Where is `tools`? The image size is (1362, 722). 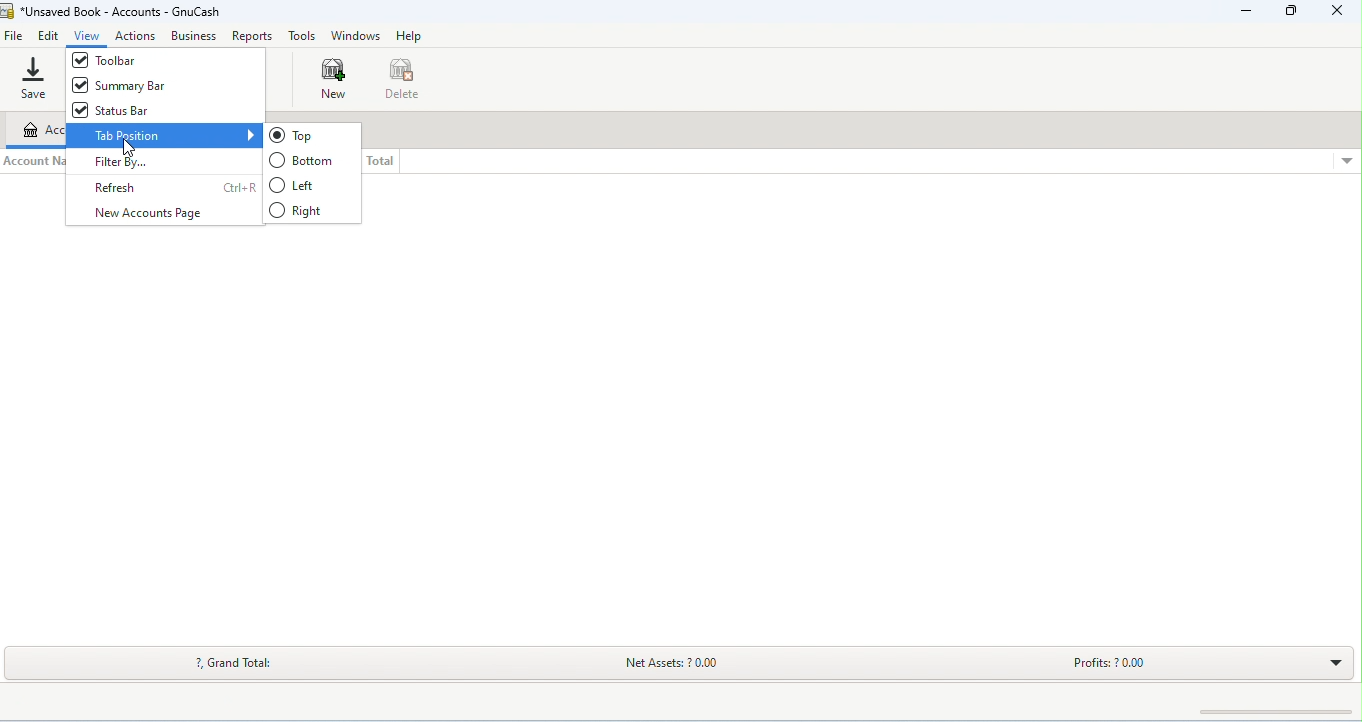
tools is located at coordinates (303, 36).